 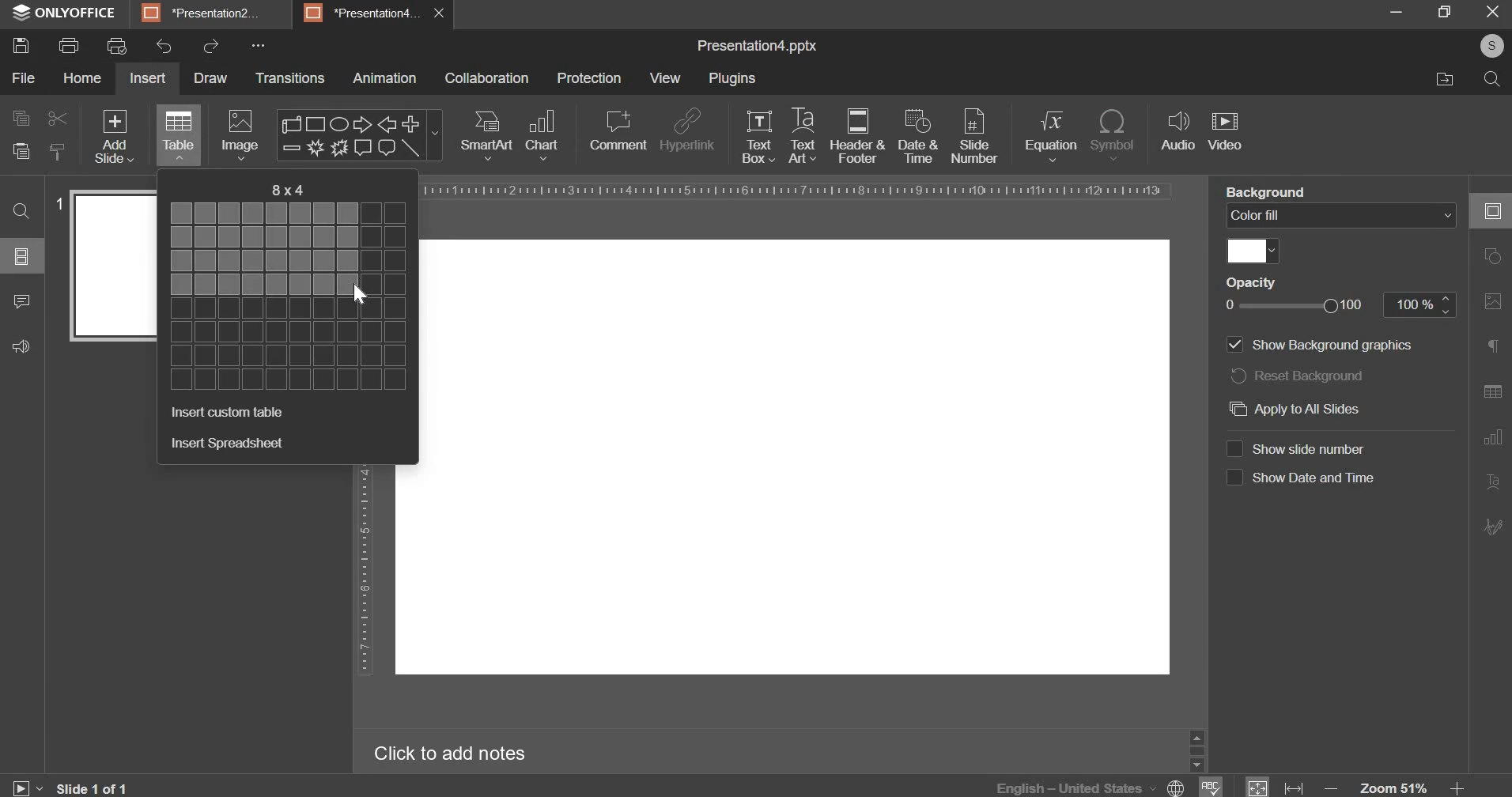 I want to click on click to add notes, so click(x=448, y=755).